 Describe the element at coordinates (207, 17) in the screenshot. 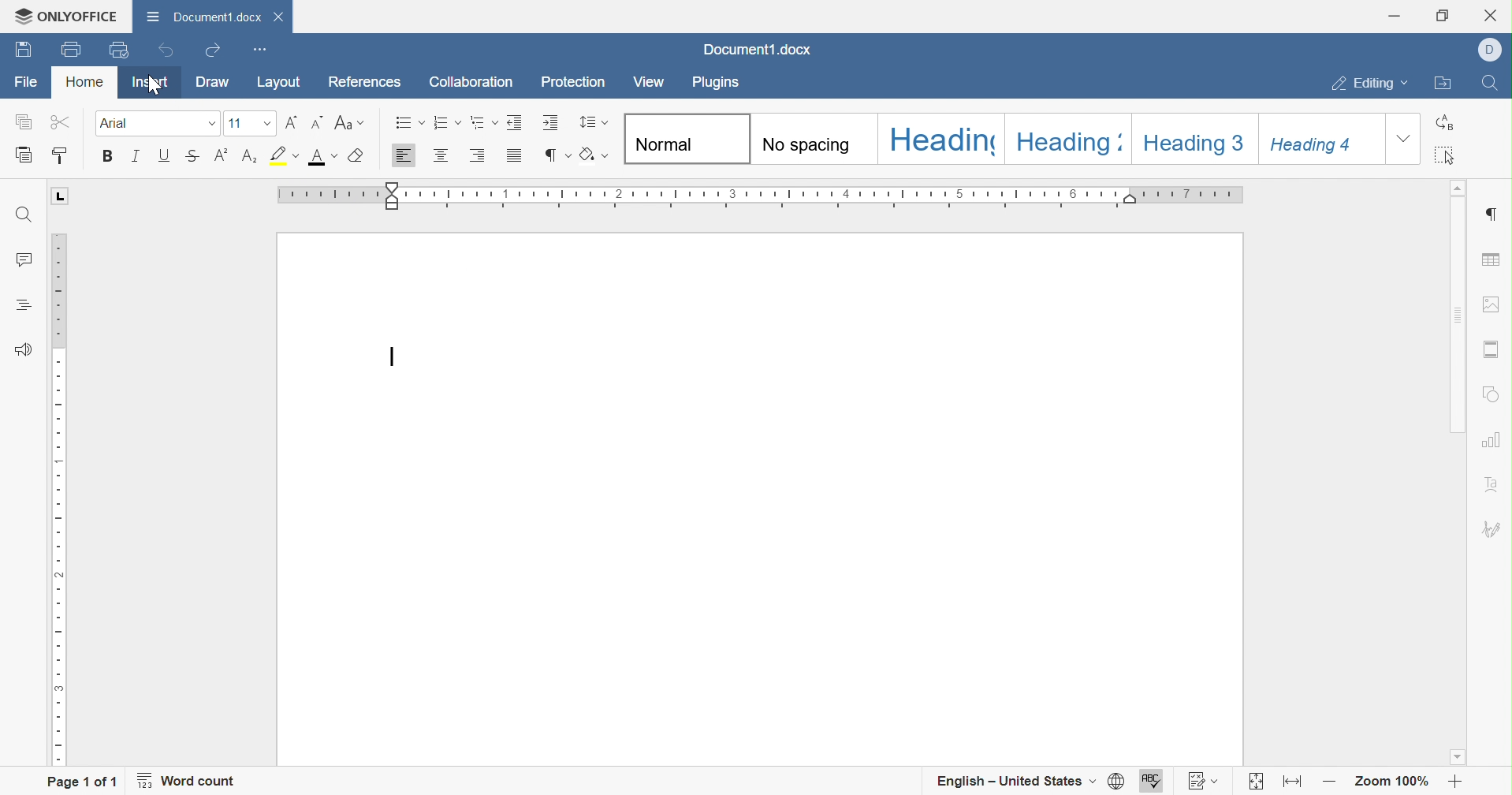

I see `Document1.docx` at that location.